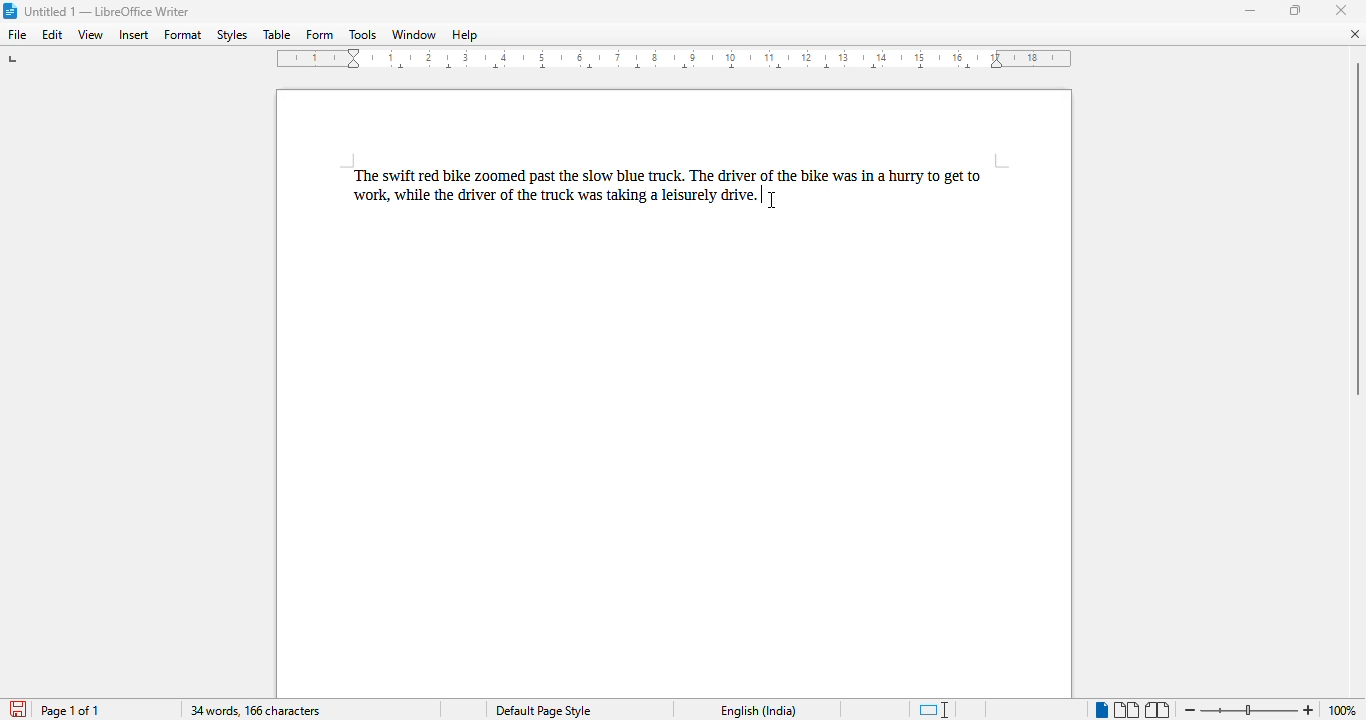 The width and height of the screenshot is (1366, 720). I want to click on format, so click(184, 34).